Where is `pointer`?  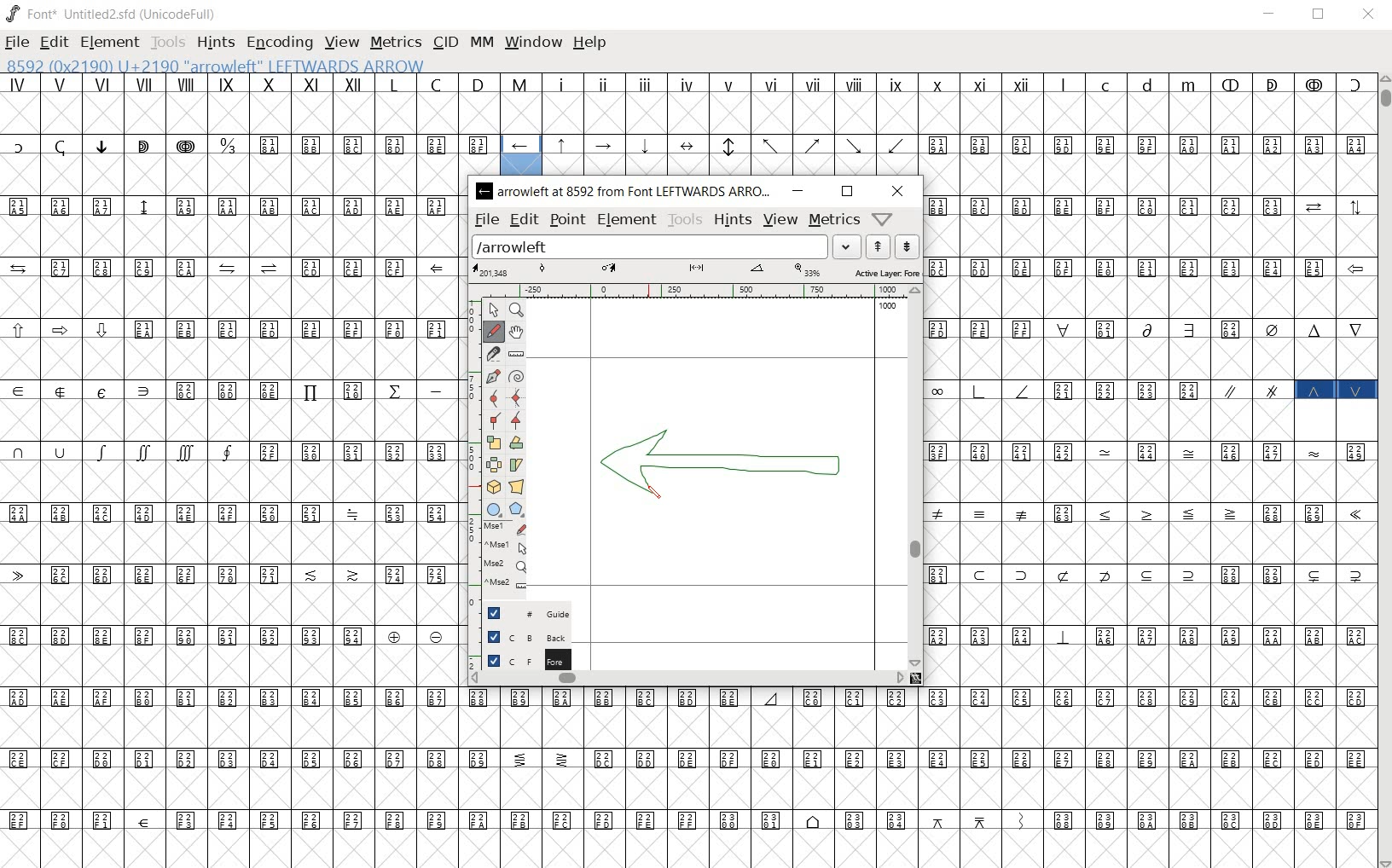 pointer is located at coordinates (493, 308).